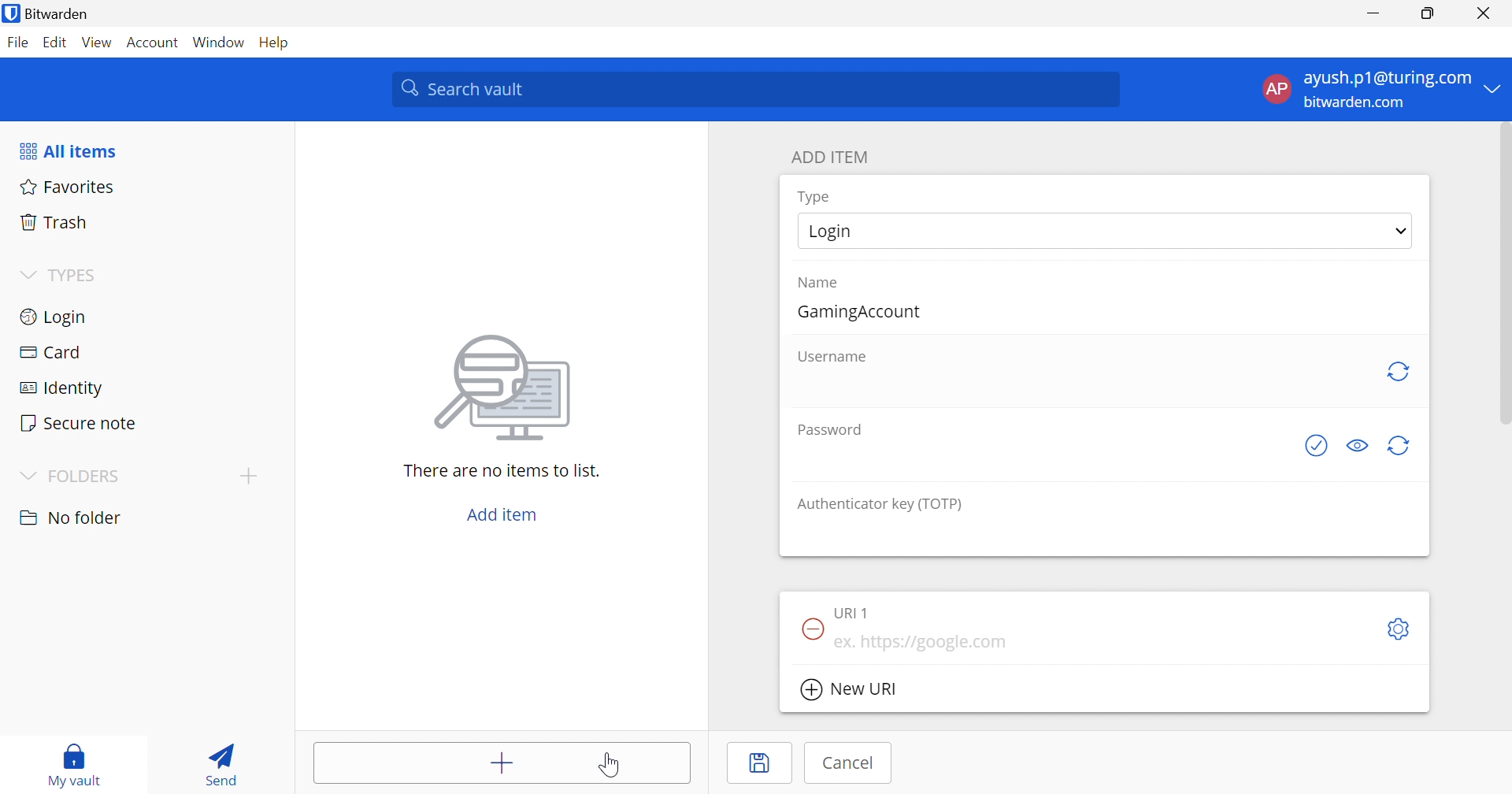 This screenshot has height=794, width=1512. What do you see at coordinates (819, 196) in the screenshot?
I see `Type` at bounding box center [819, 196].